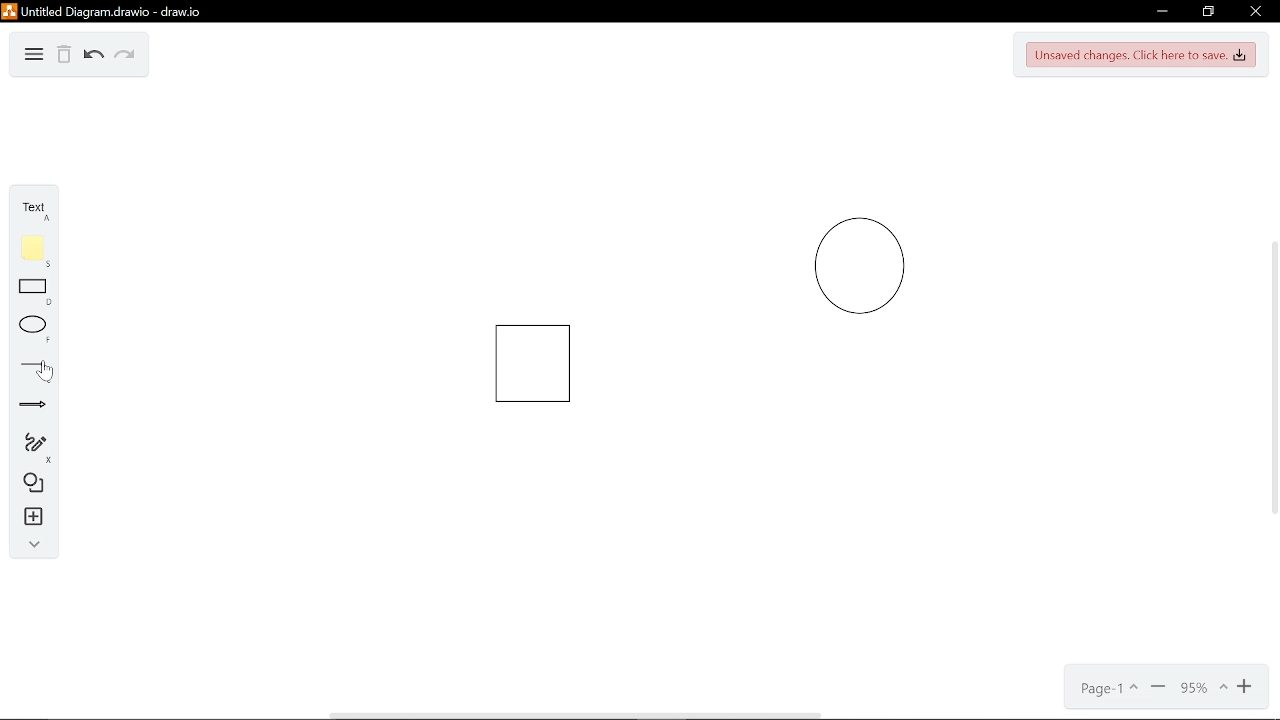 Image resolution: width=1280 pixels, height=720 pixels. What do you see at coordinates (29, 292) in the screenshot?
I see `Rectangle` at bounding box center [29, 292].